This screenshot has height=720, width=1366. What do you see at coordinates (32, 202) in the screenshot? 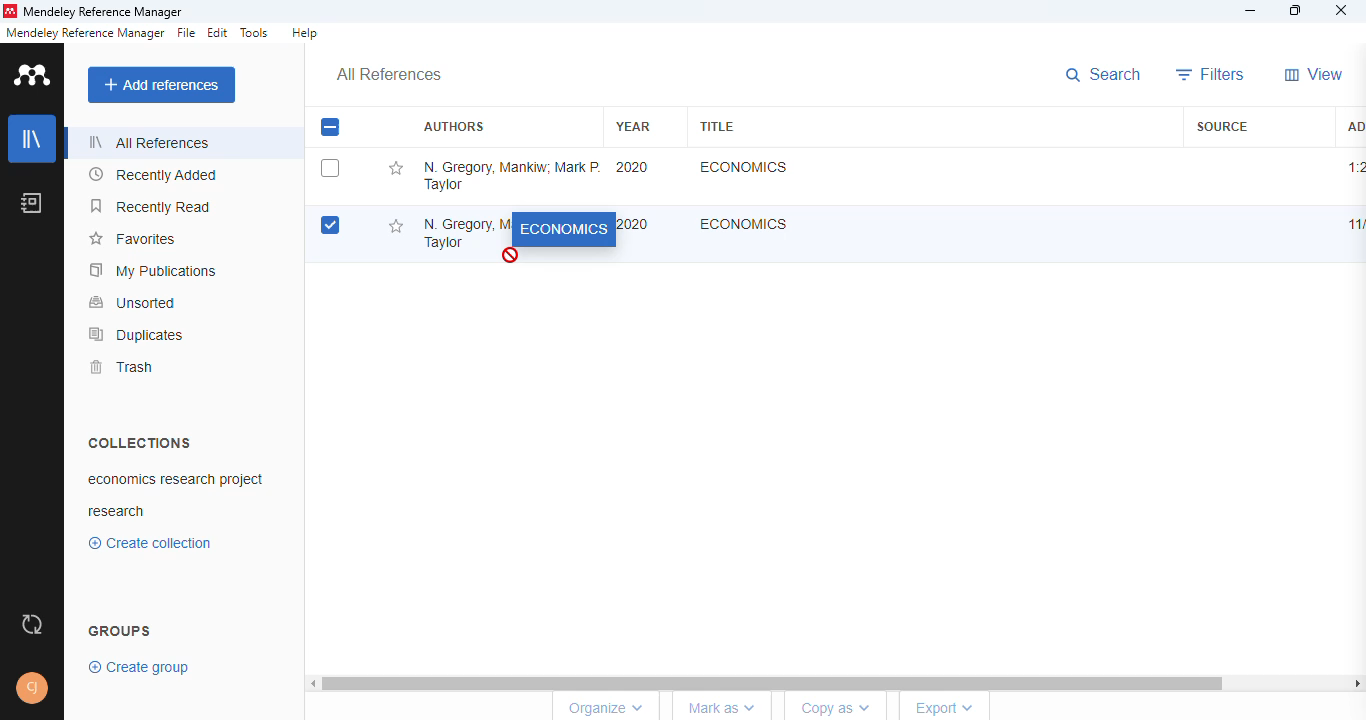
I see `notebook` at bounding box center [32, 202].